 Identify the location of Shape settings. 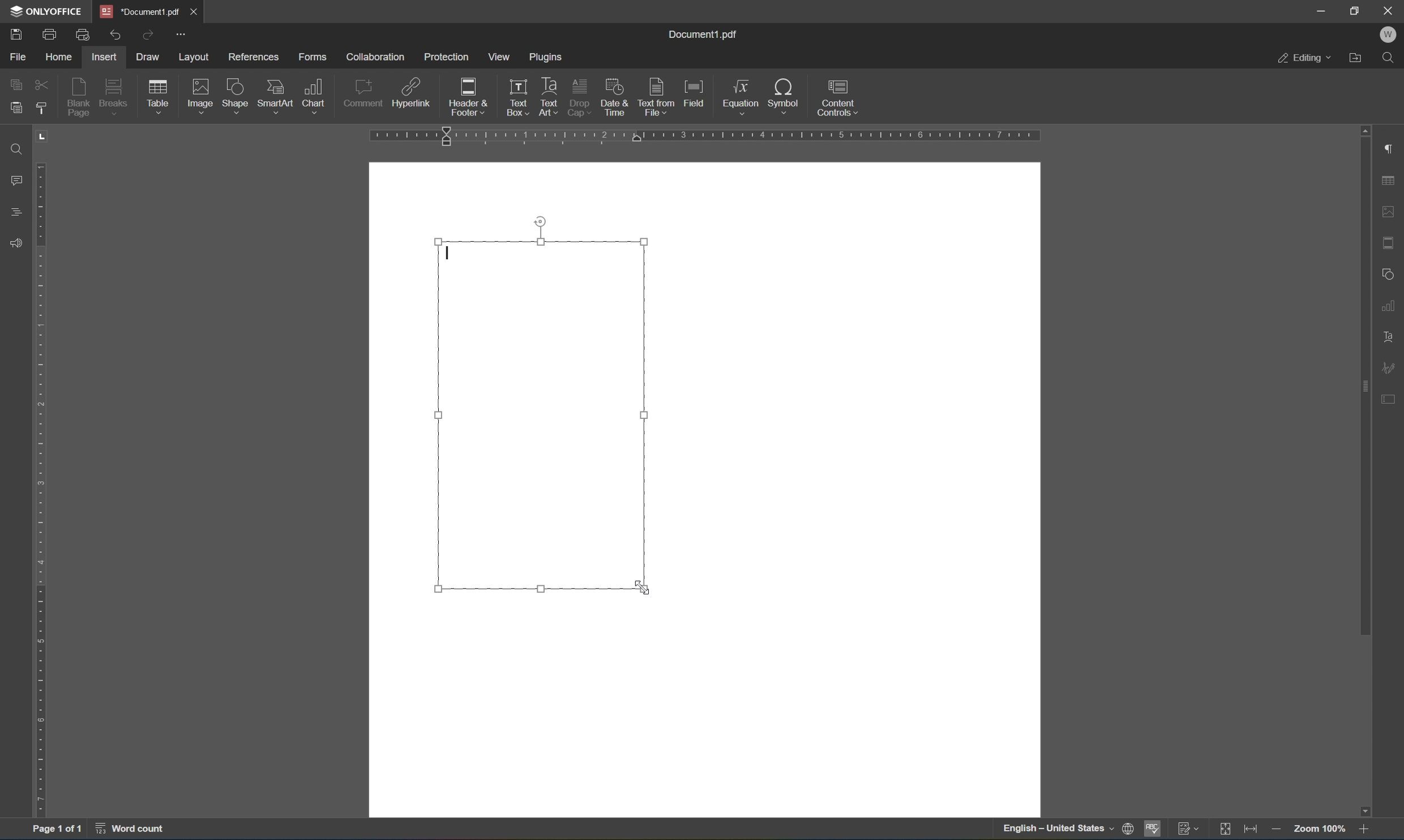
(1389, 273).